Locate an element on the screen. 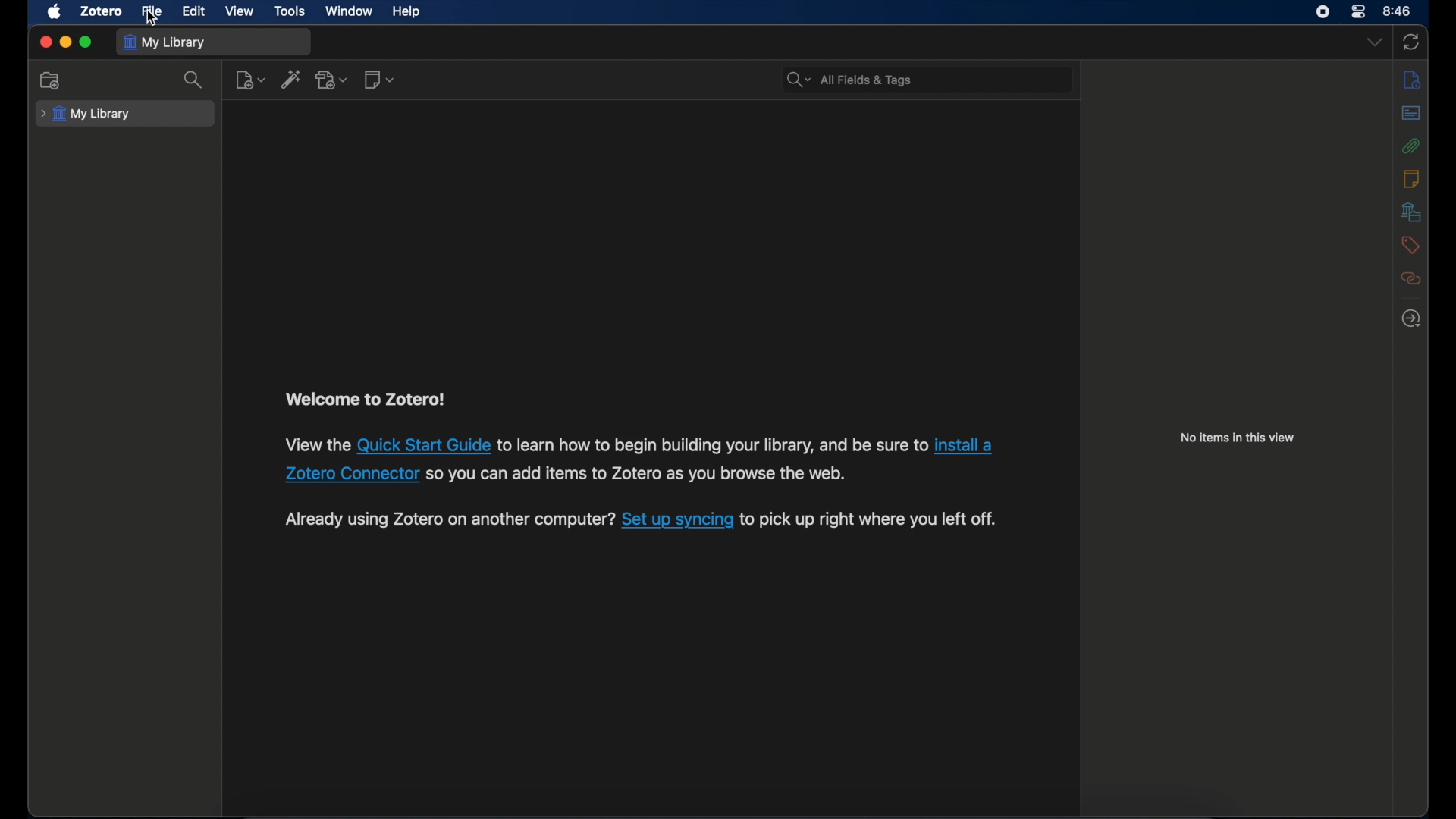 Image resolution: width=1456 pixels, height=819 pixels. sync is located at coordinates (1410, 43).